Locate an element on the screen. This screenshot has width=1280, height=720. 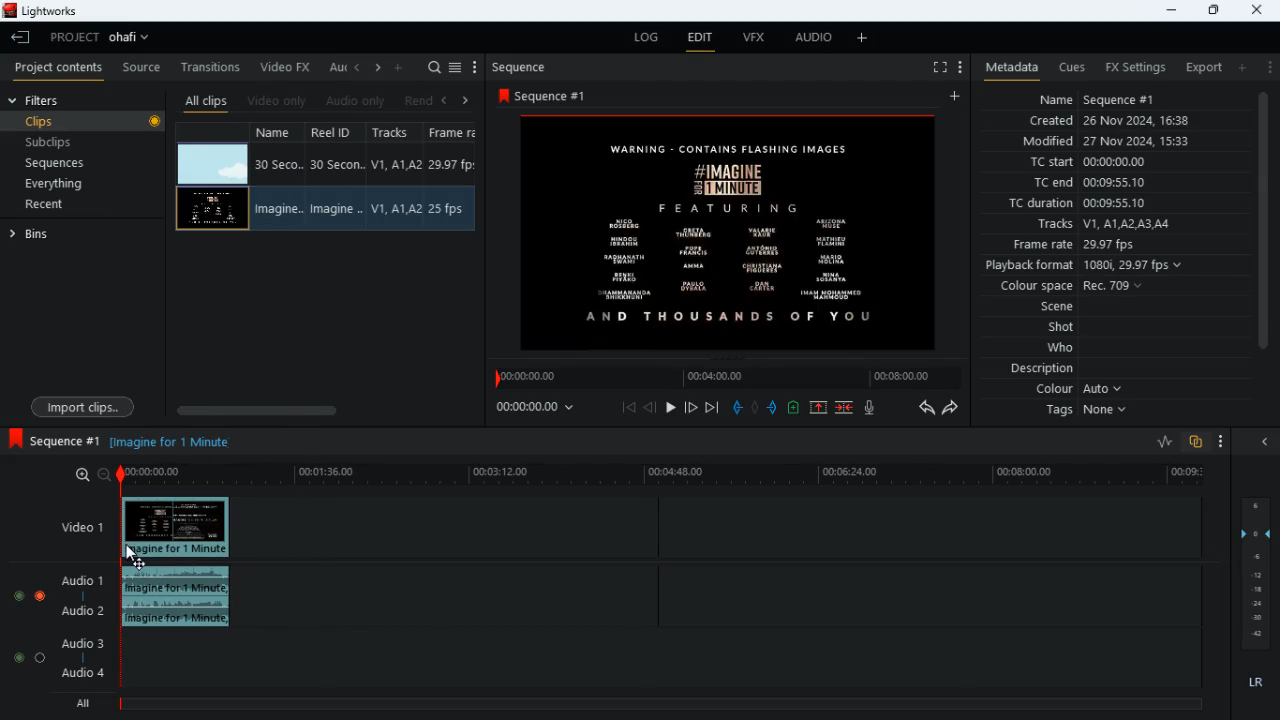
sequence is located at coordinates (548, 96).